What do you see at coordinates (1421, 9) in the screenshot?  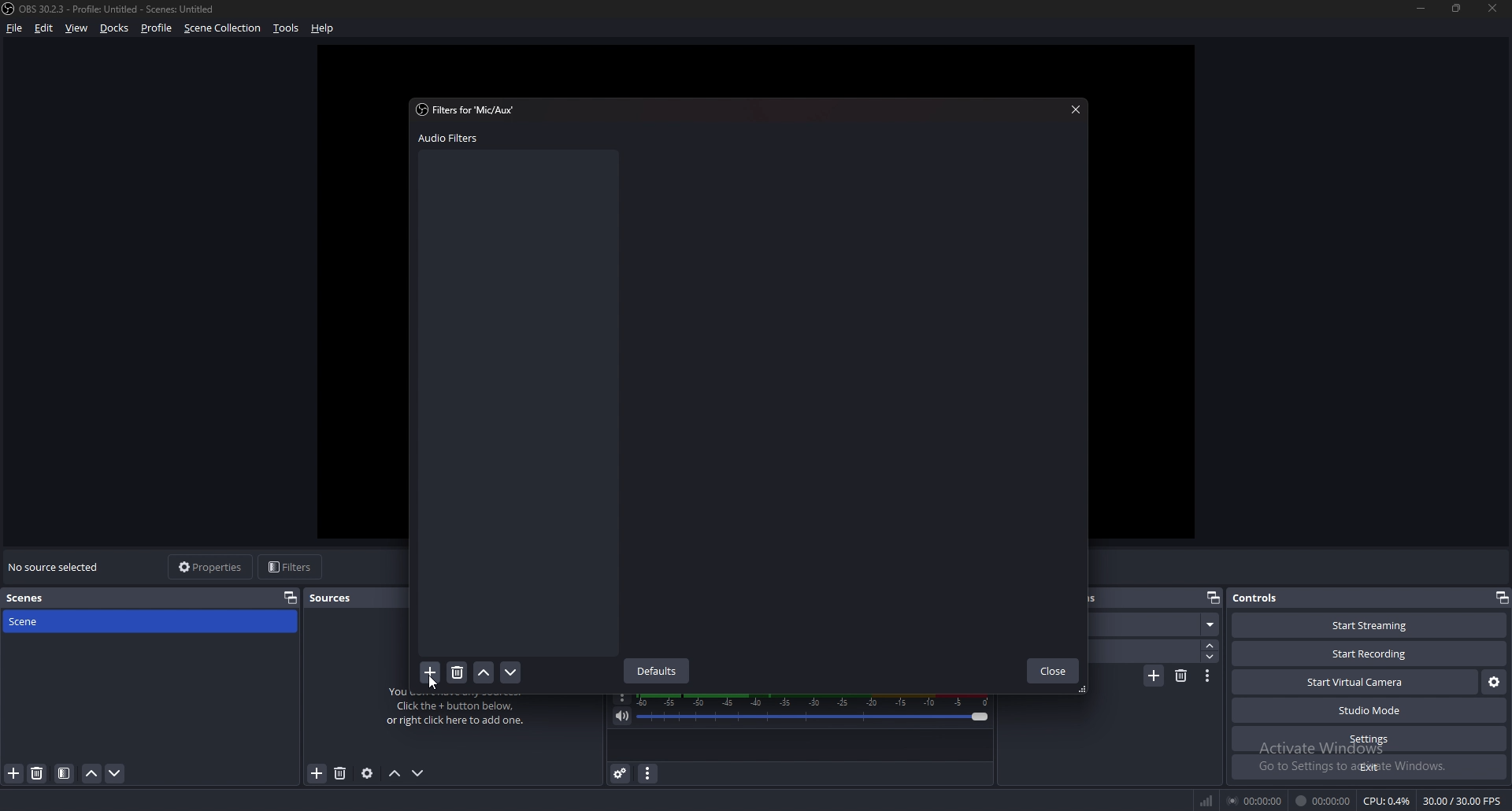 I see `minimize` at bounding box center [1421, 9].